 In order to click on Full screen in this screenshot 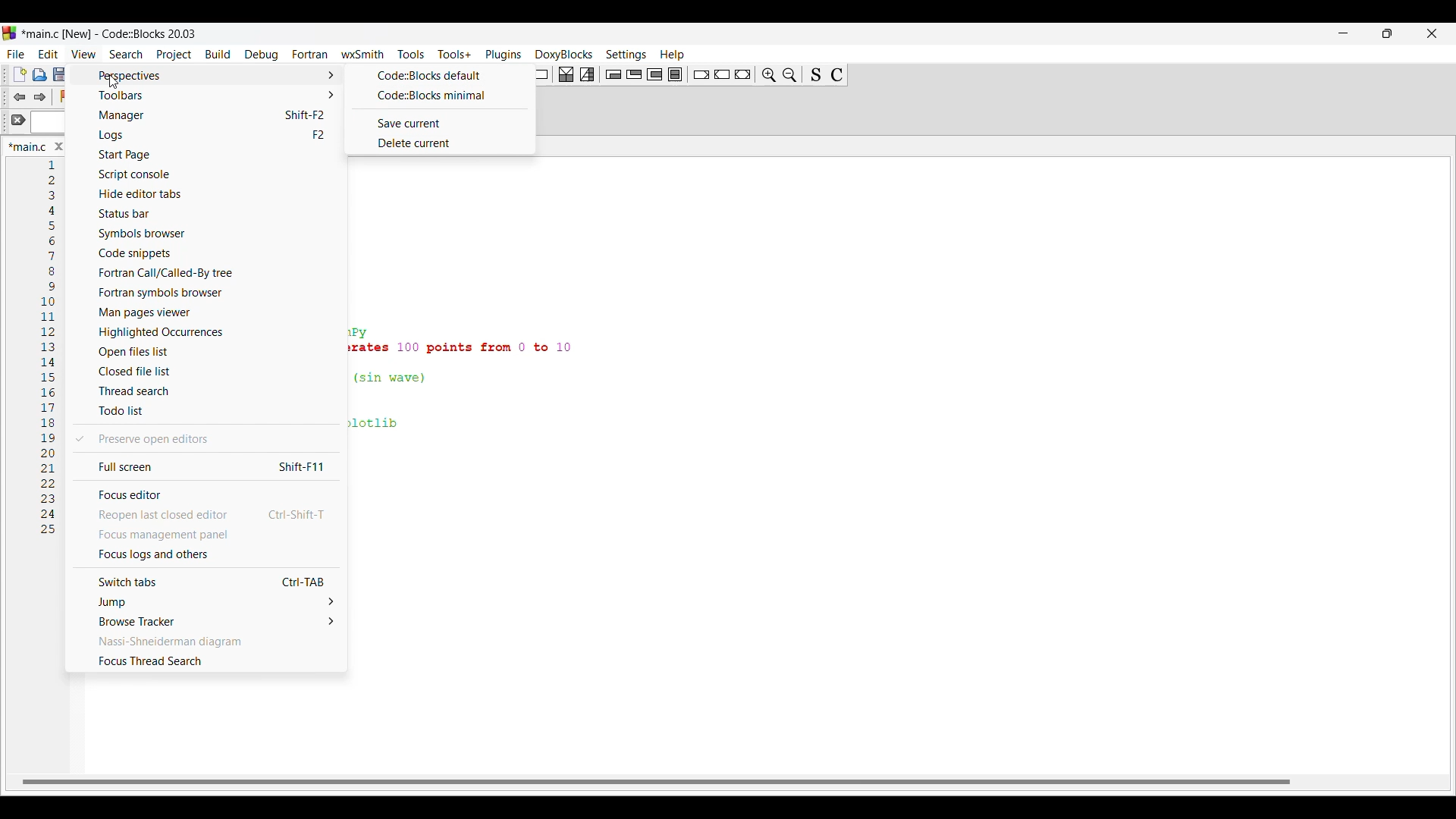, I will do `click(204, 465)`.